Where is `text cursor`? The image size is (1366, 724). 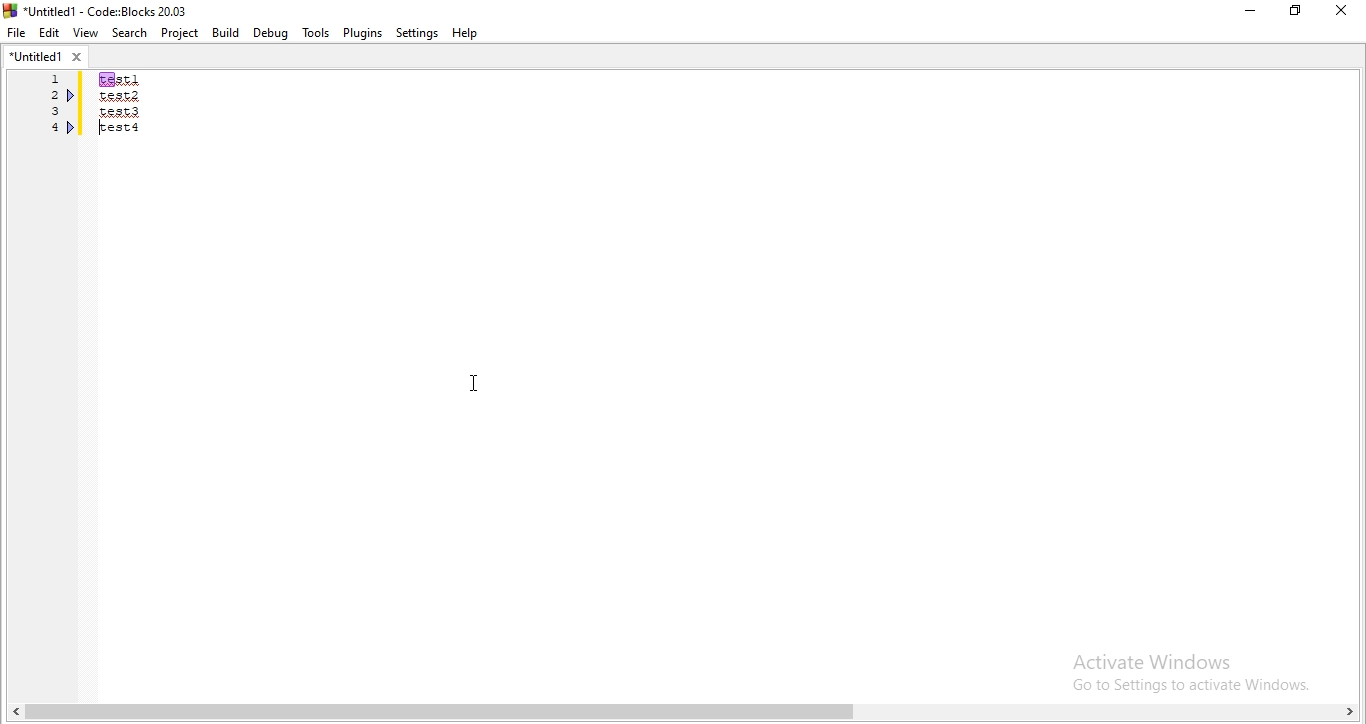 text cursor is located at coordinates (103, 128).